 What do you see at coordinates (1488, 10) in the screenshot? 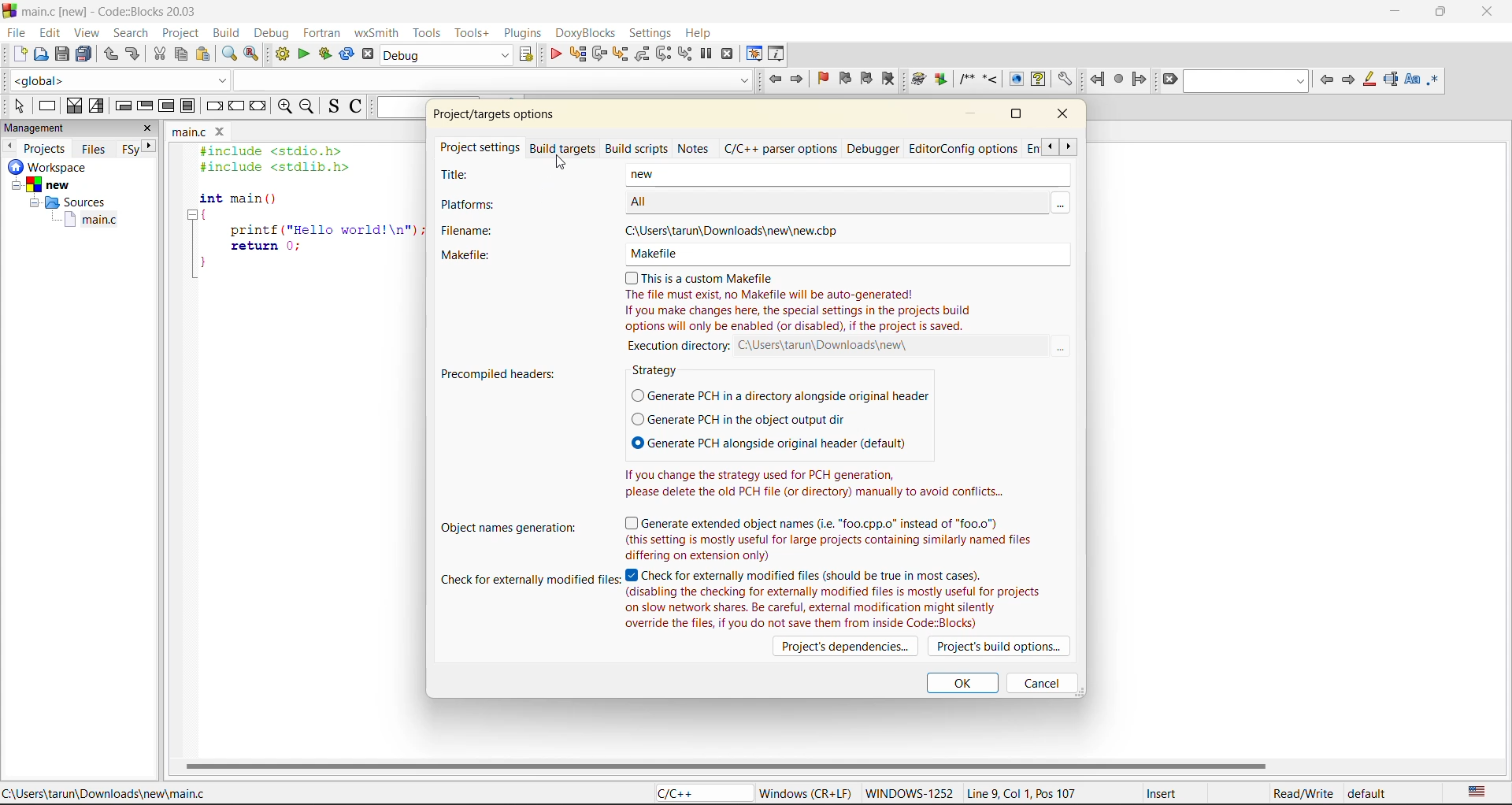
I see `close` at bounding box center [1488, 10].